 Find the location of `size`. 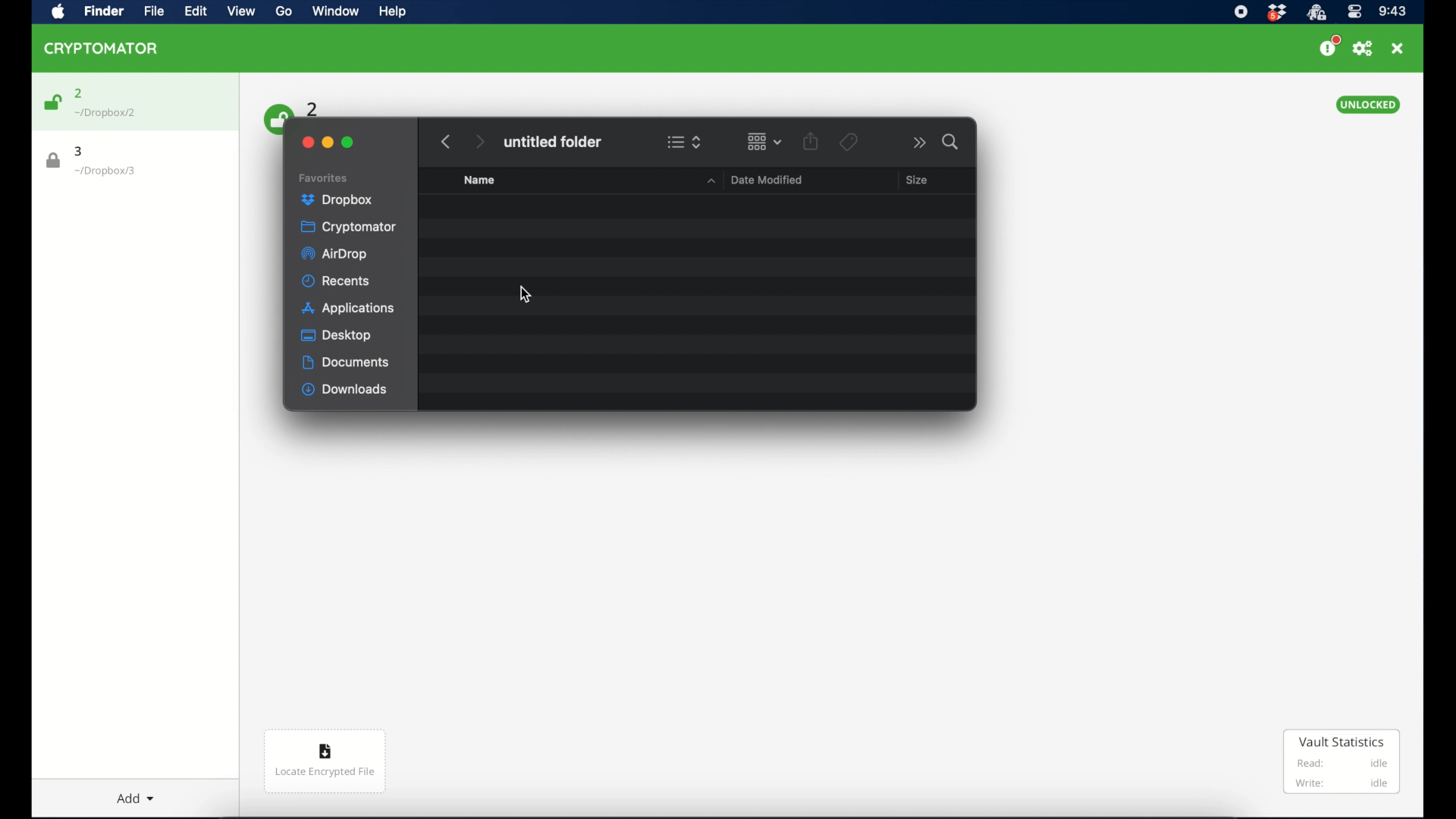

size is located at coordinates (916, 179).